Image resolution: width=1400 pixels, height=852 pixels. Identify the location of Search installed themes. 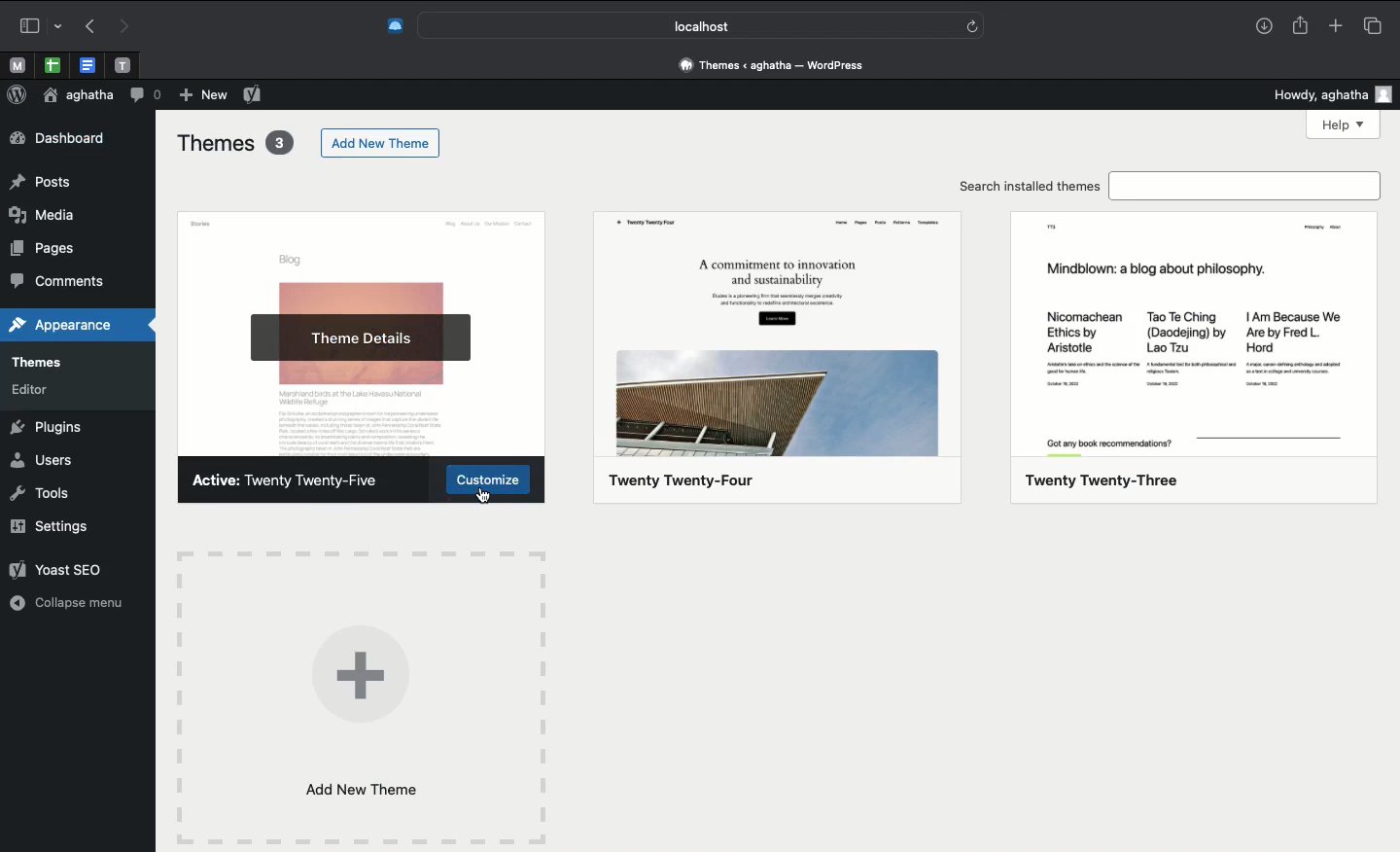
(1170, 185).